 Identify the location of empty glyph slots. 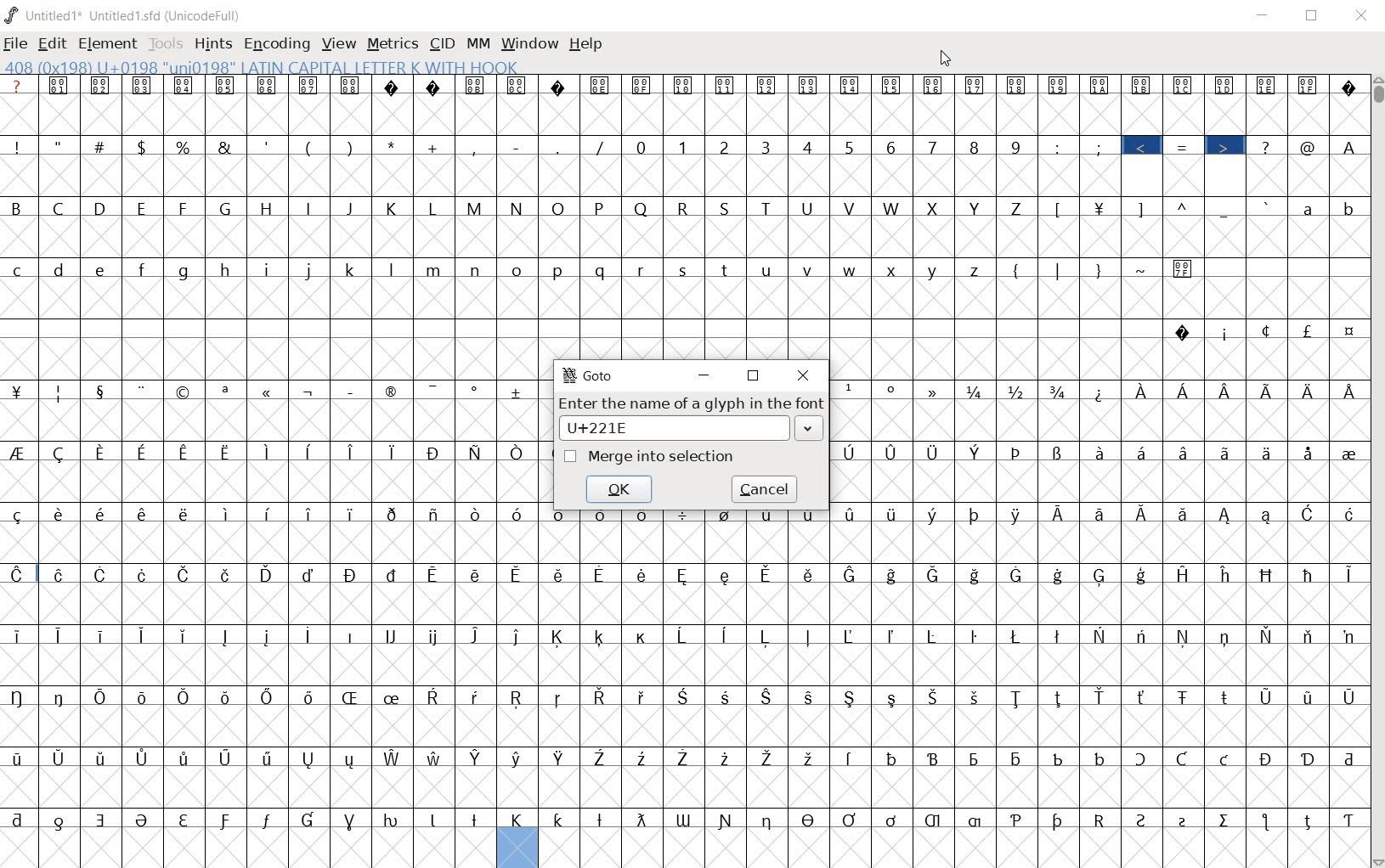
(1100, 481).